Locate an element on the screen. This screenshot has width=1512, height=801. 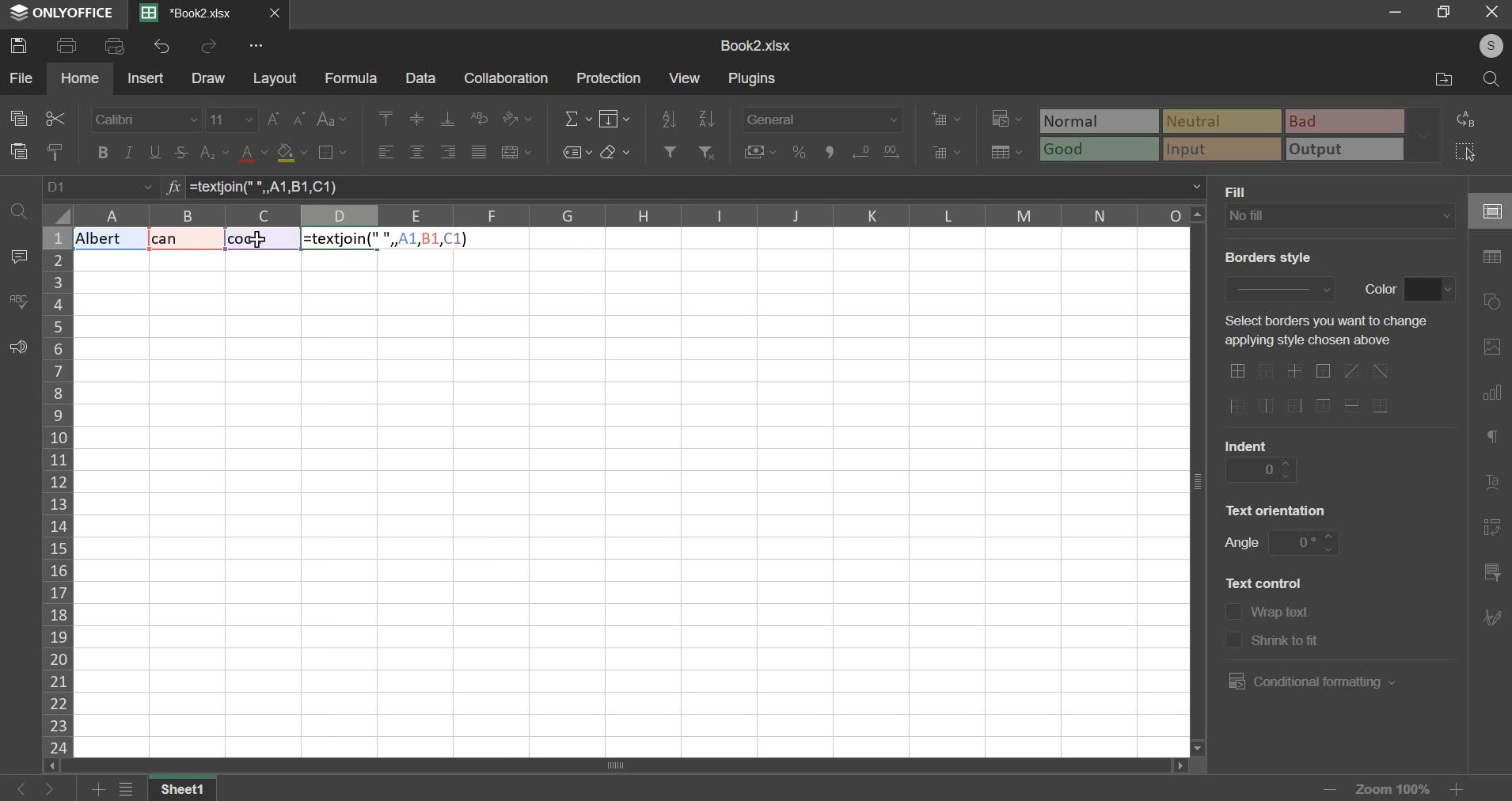
go back is located at coordinates (20, 788).